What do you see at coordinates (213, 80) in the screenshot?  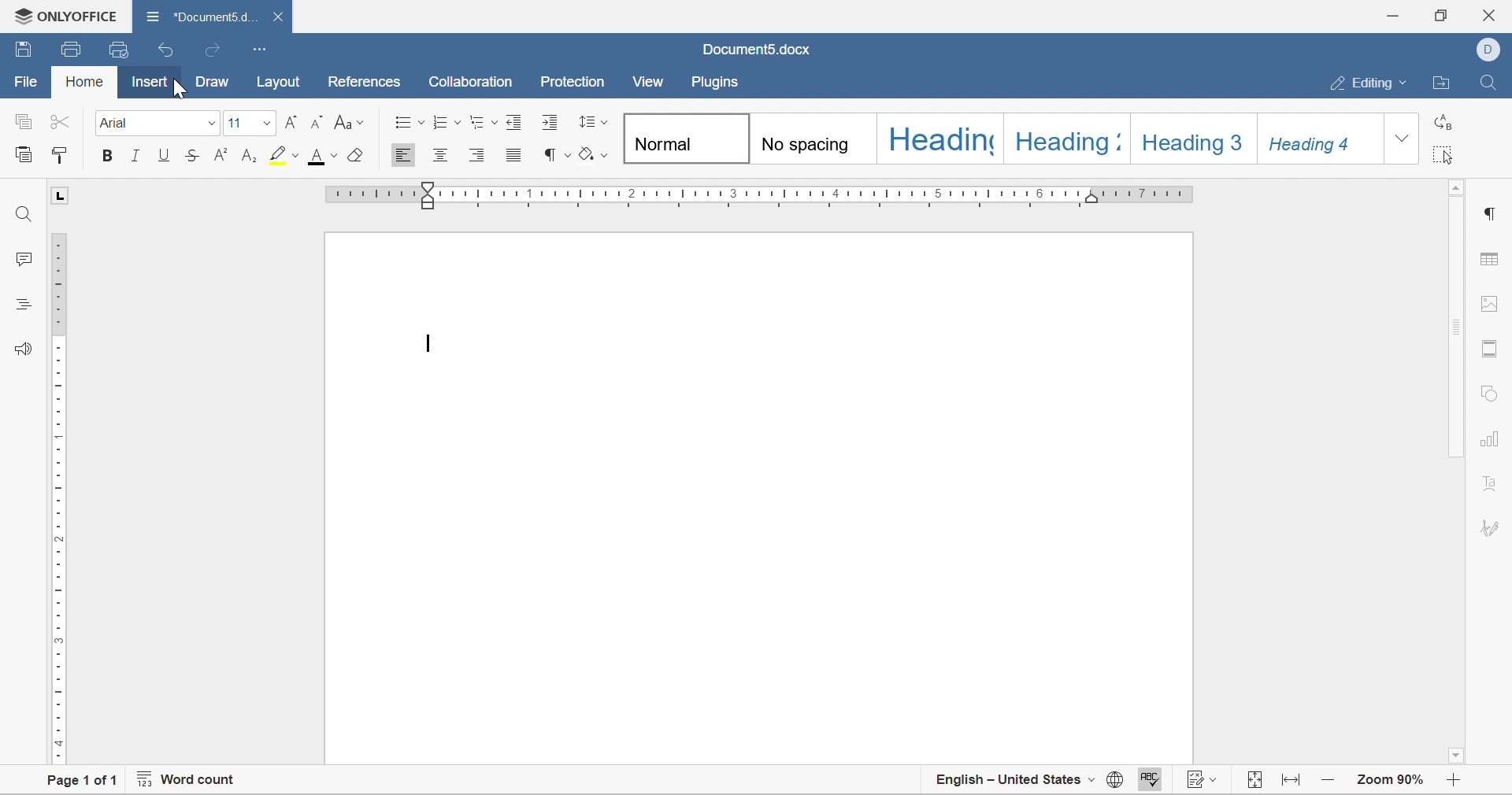 I see `draw` at bounding box center [213, 80].